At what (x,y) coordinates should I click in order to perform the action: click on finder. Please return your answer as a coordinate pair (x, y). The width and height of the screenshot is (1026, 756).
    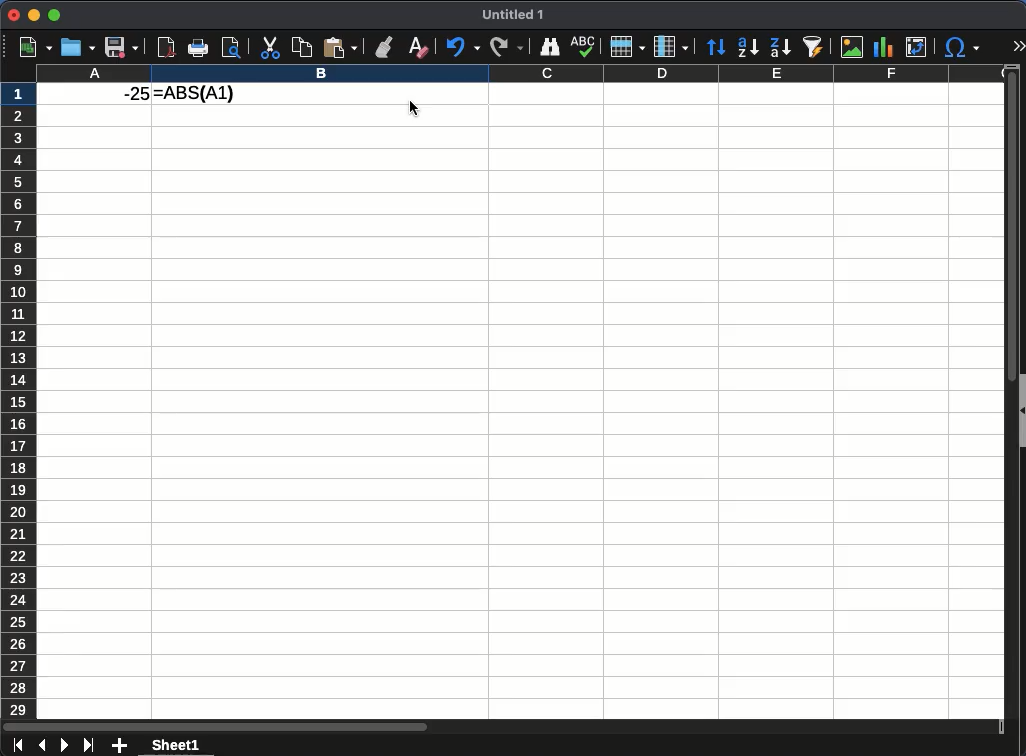
    Looking at the image, I should click on (551, 47).